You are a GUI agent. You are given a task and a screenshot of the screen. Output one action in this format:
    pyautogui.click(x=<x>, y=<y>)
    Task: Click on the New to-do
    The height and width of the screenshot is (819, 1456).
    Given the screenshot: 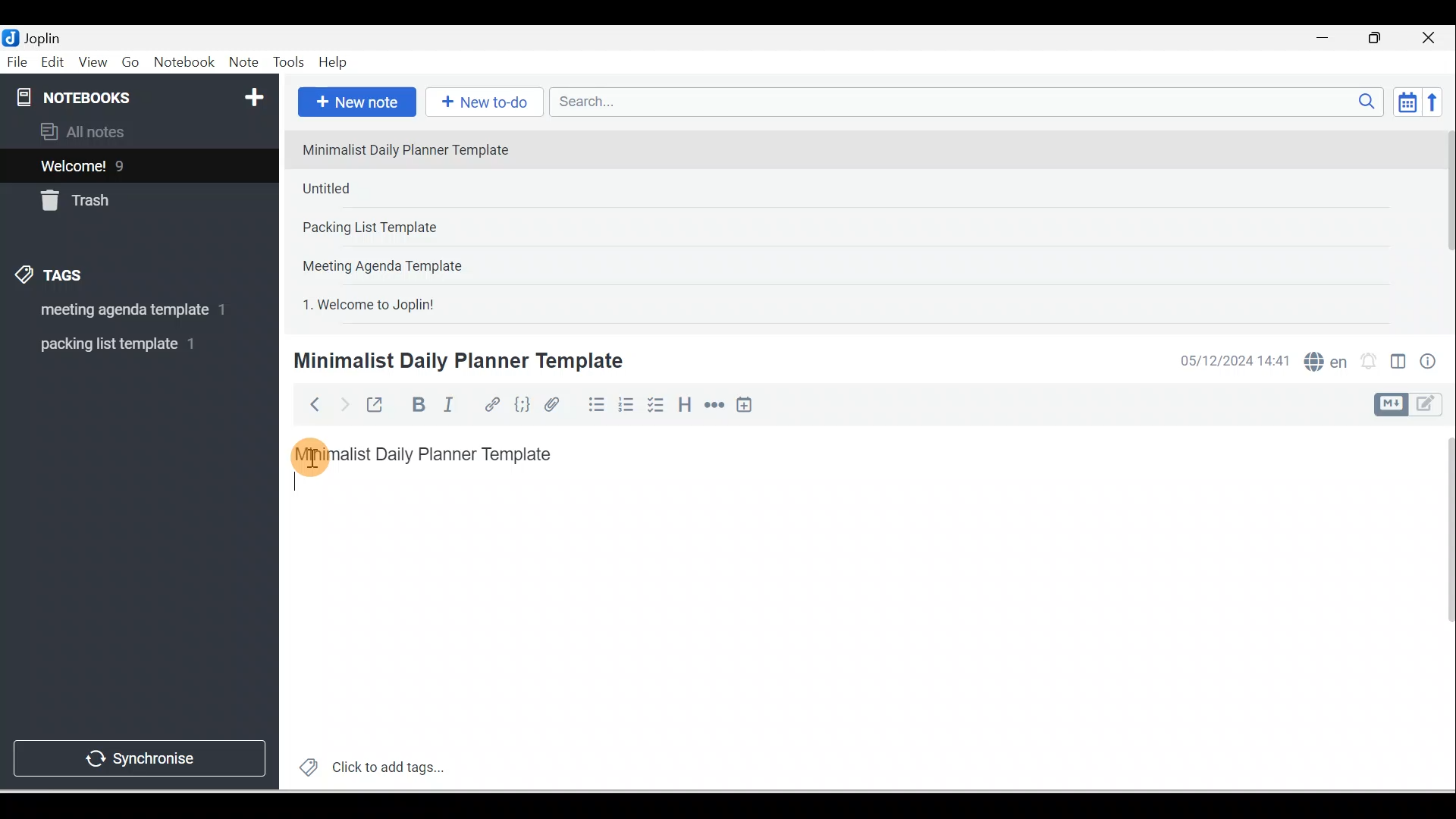 What is the action you would take?
    pyautogui.click(x=481, y=103)
    